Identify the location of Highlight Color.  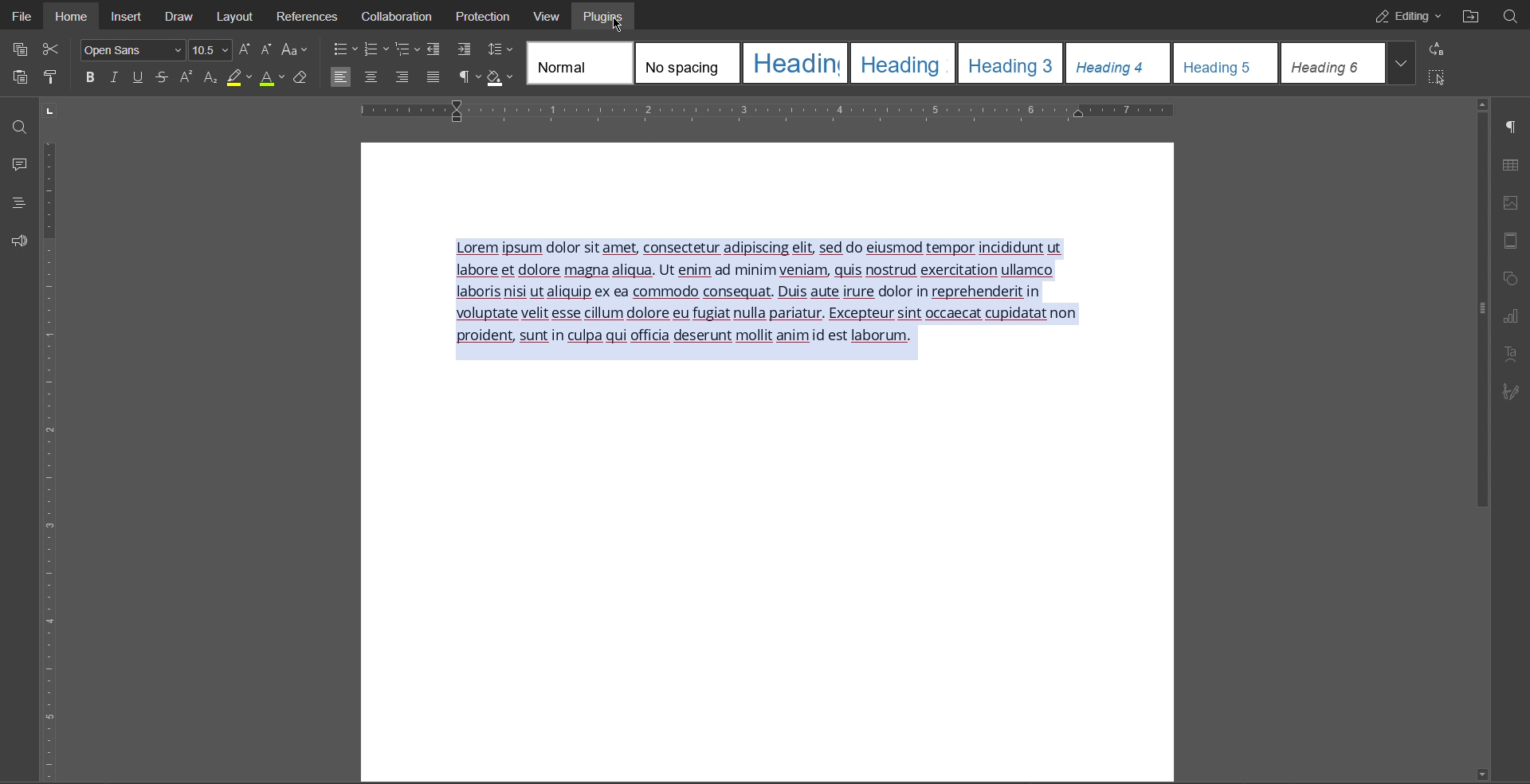
(240, 78).